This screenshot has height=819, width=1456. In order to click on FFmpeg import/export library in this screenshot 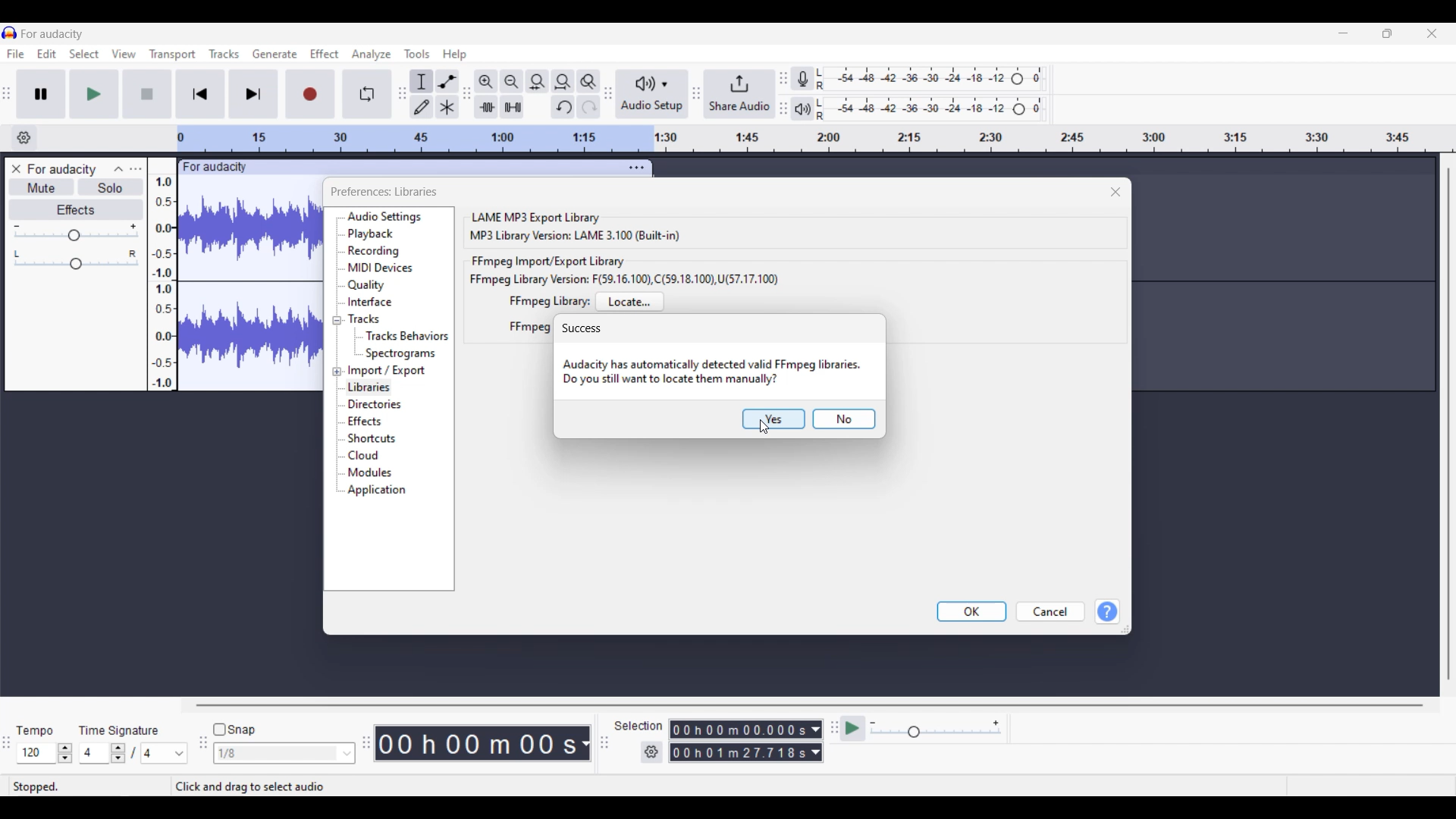, I will do `click(550, 262)`.